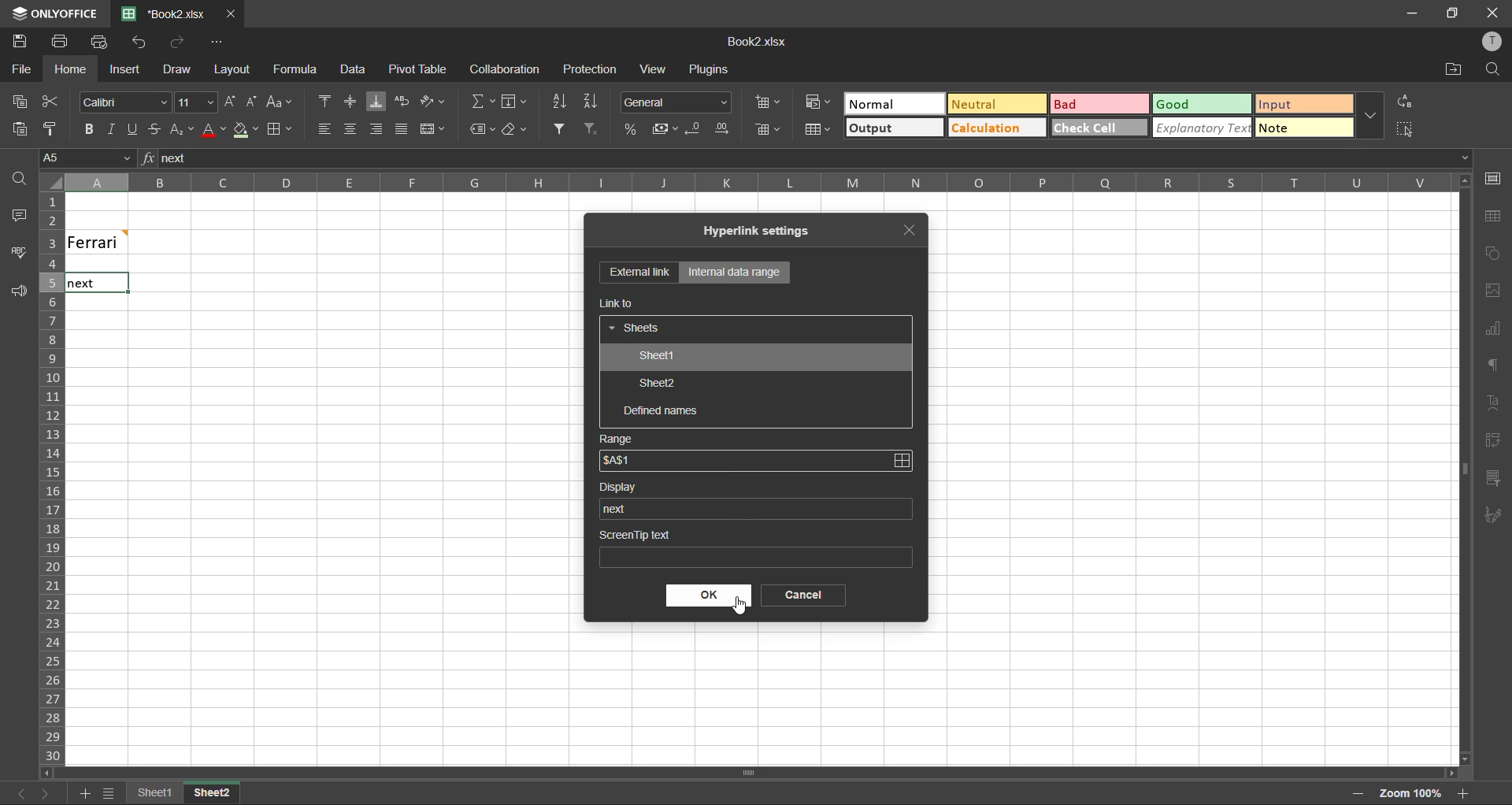  What do you see at coordinates (327, 102) in the screenshot?
I see `align top` at bounding box center [327, 102].